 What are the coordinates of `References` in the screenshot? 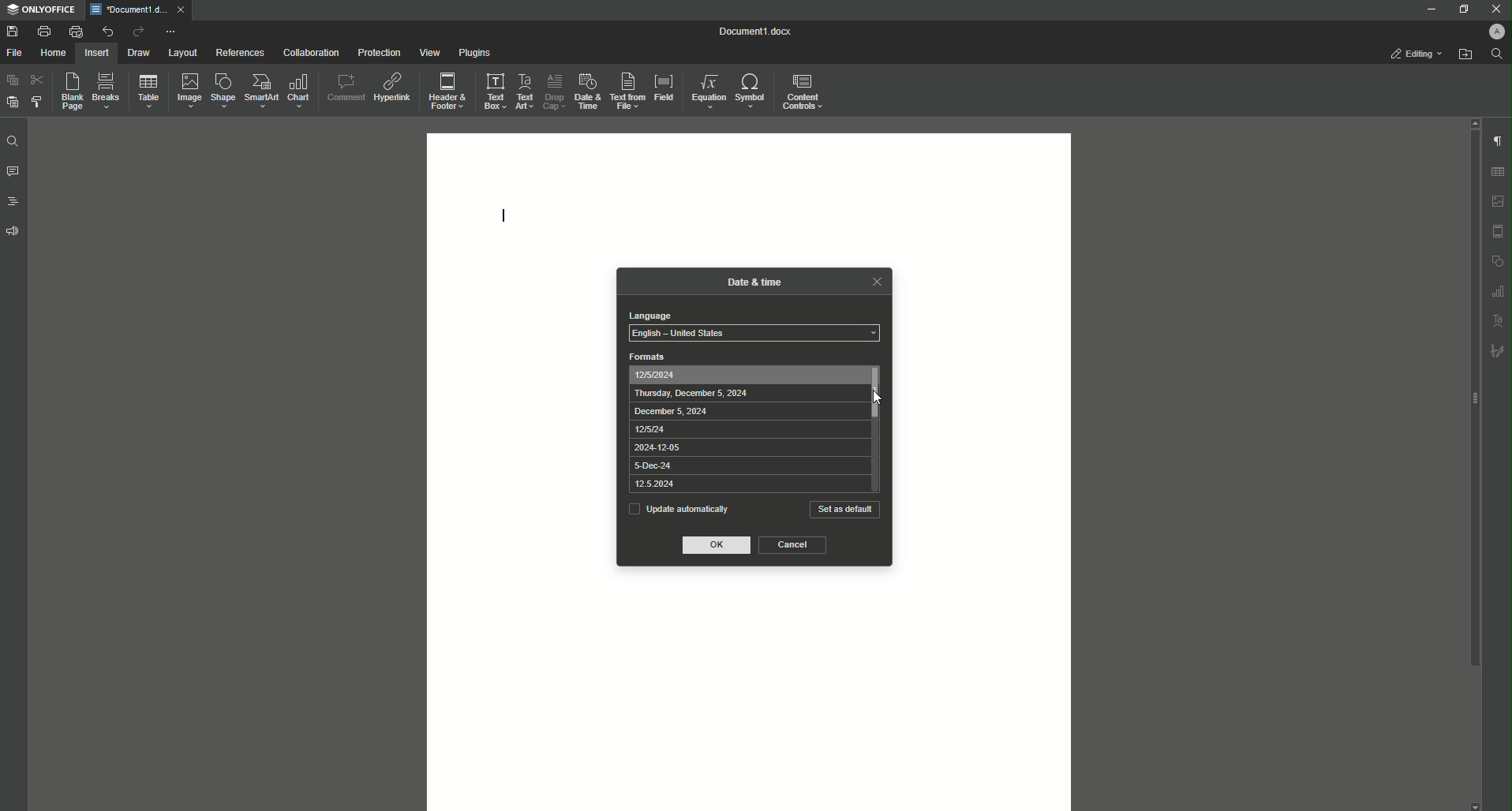 It's located at (239, 53).